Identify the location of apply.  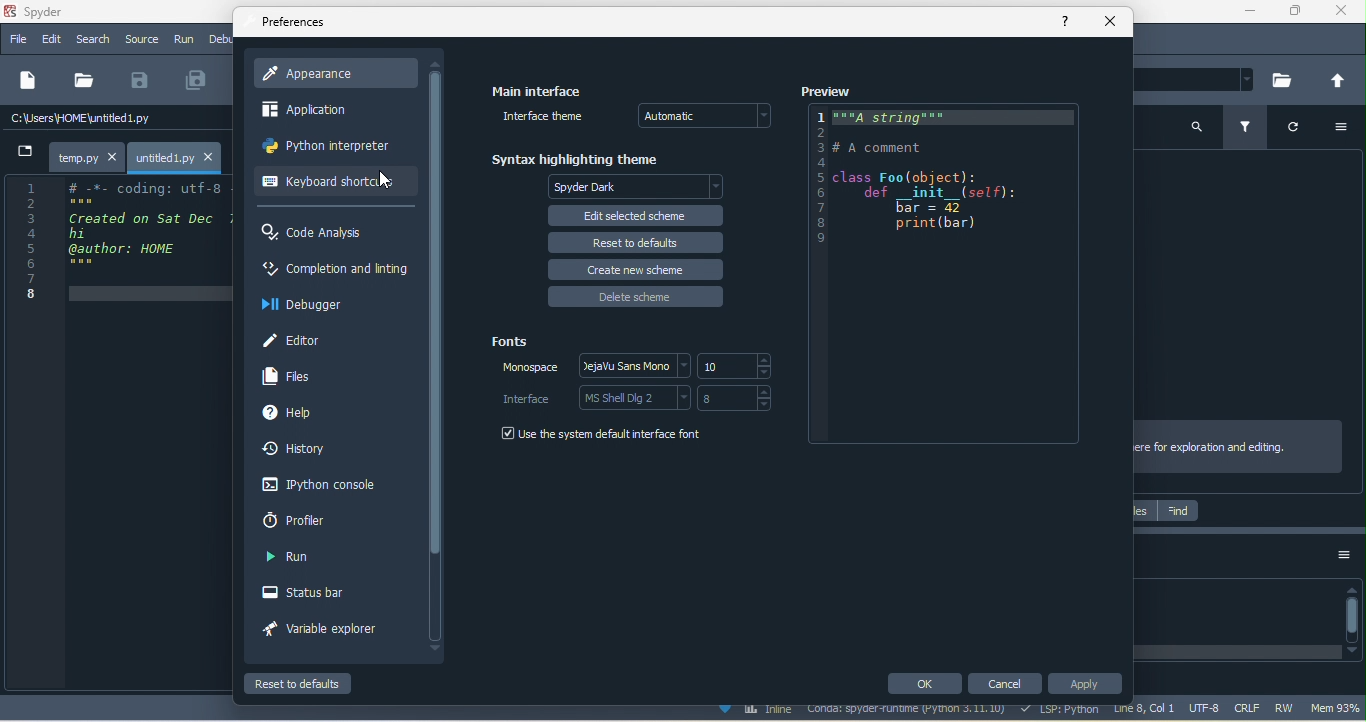
(1086, 684).